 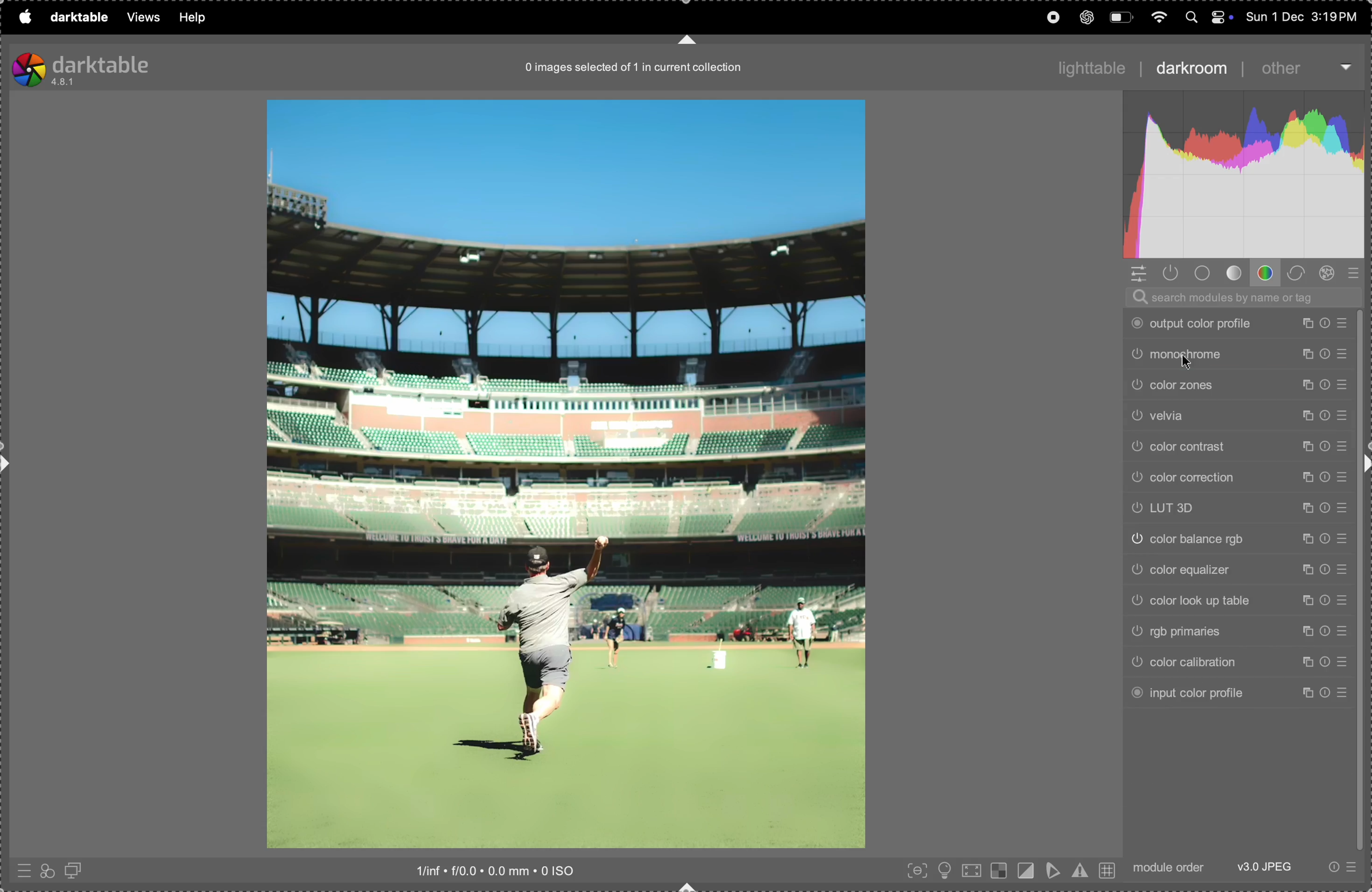 What do you see at coordinates (973, 870) in the screenshot?
I see `full screen` at bounding box center [973, 870].